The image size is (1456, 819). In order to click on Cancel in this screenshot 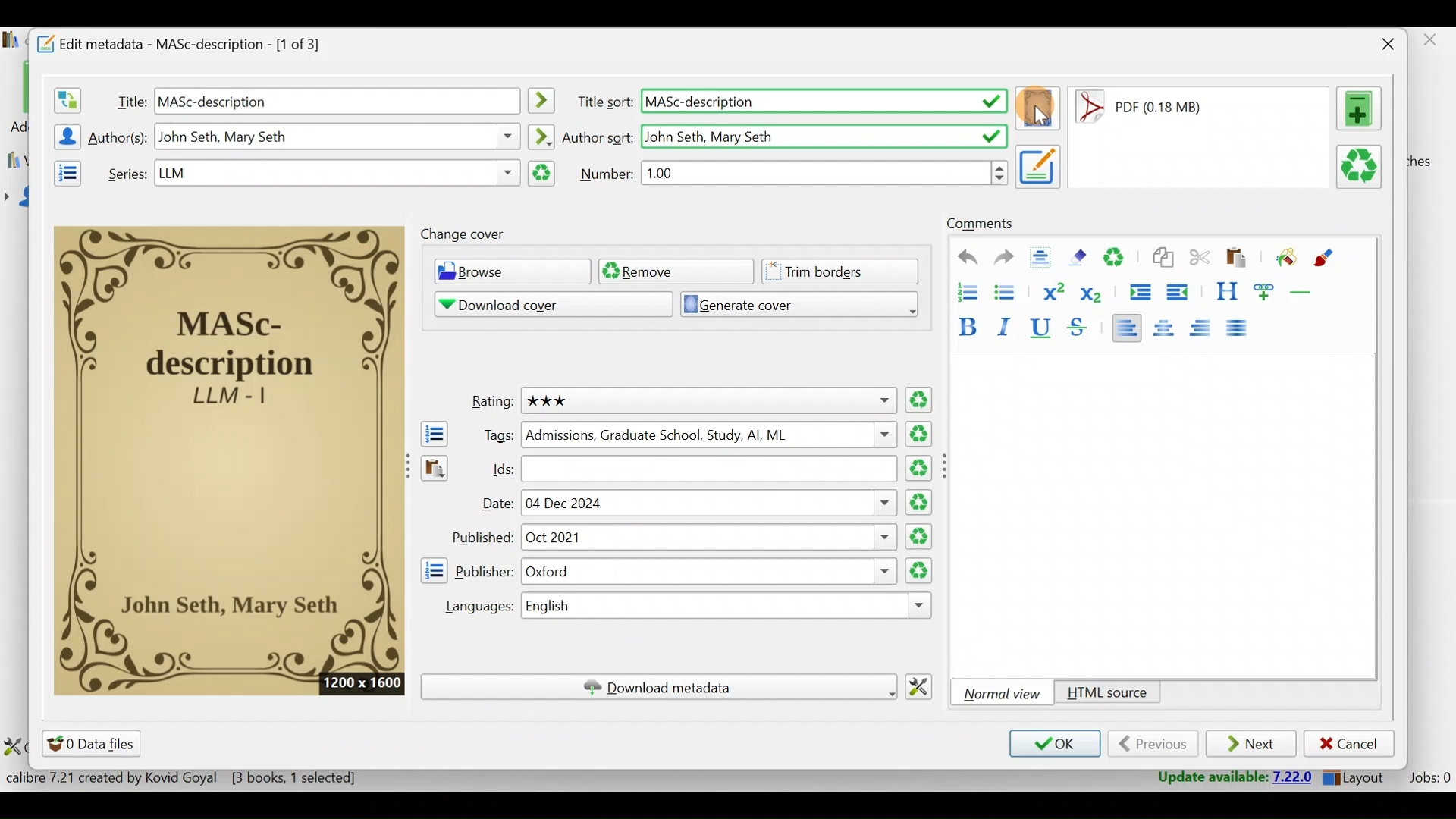, I will do `click(1349, 744)`.